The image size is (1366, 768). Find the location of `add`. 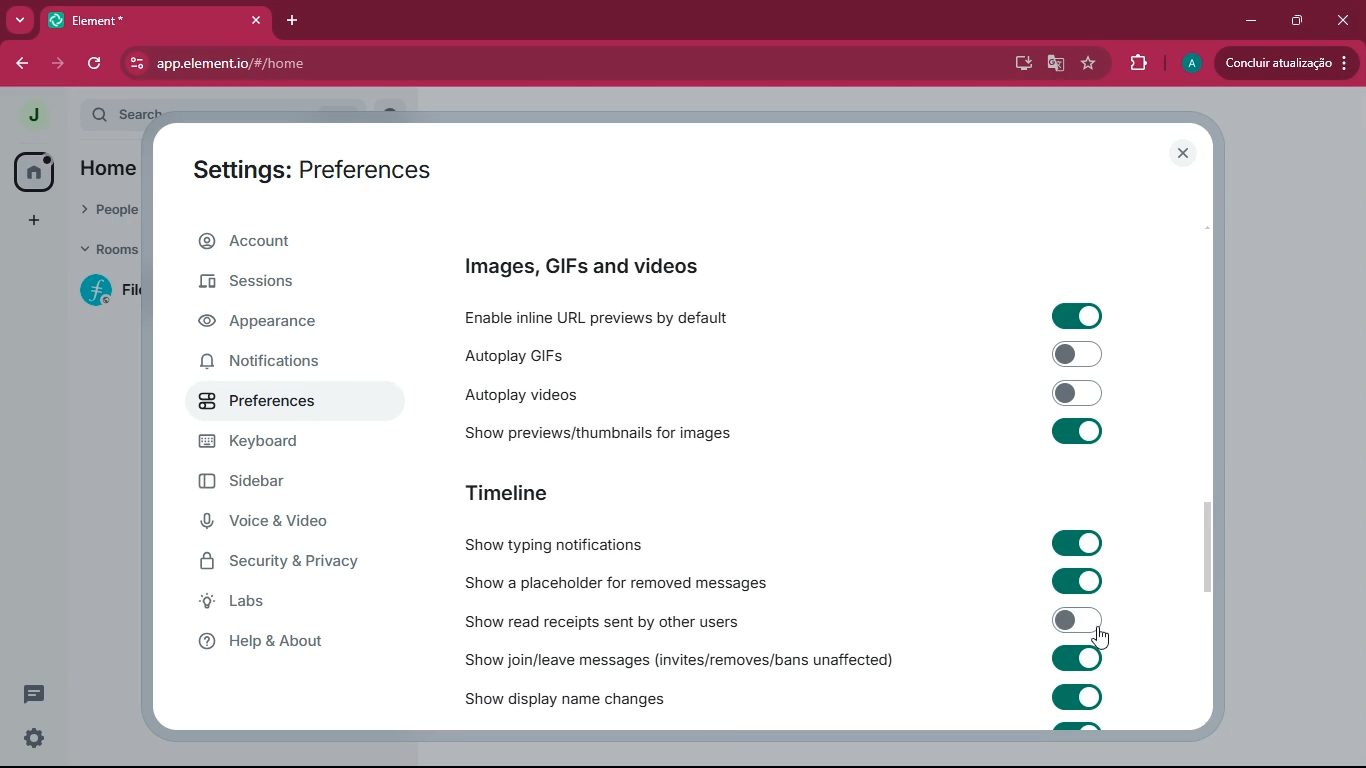

add is located at coordinates (34, 223).